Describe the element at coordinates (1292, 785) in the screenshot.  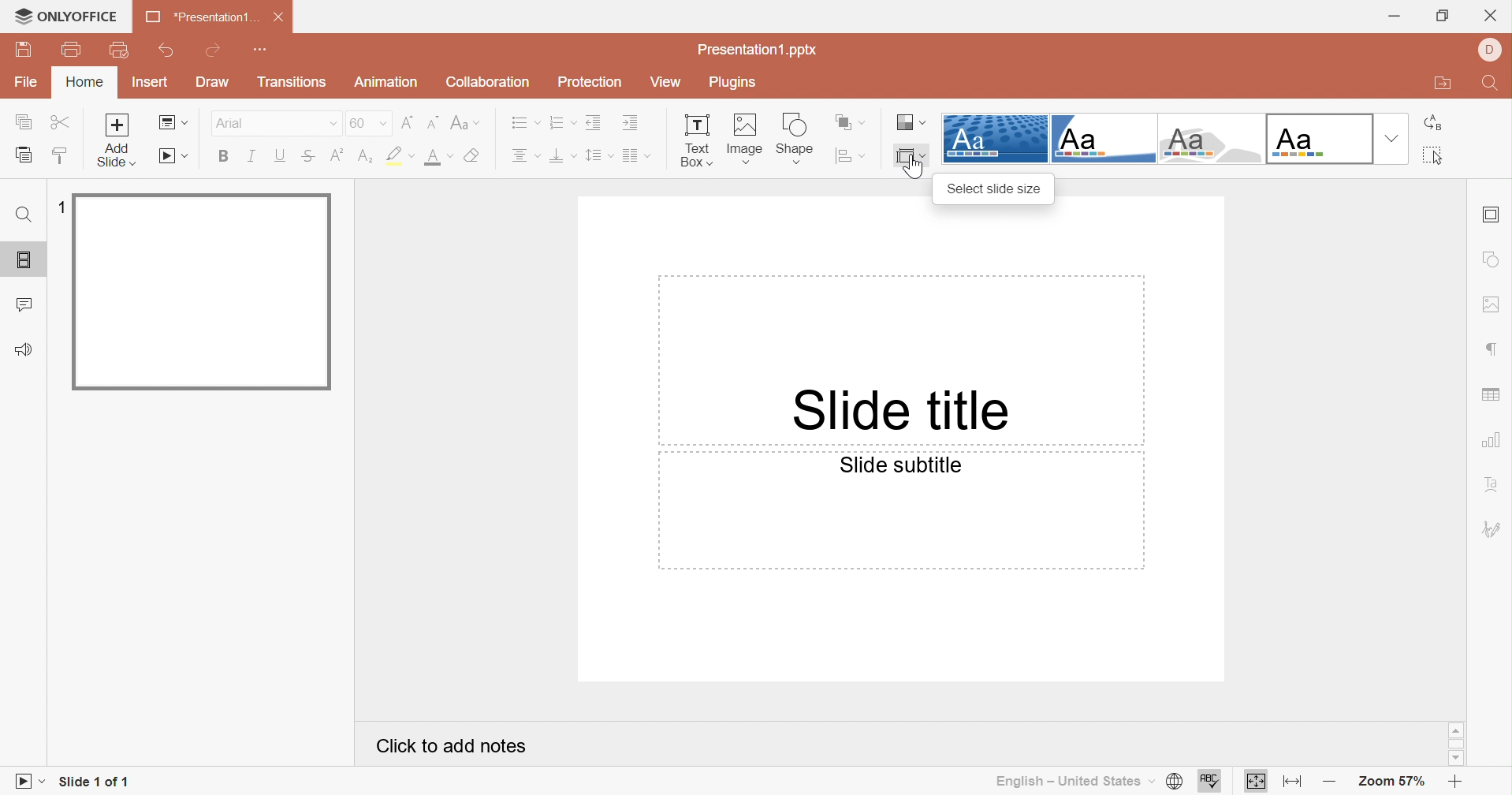
I see `Fit to width` at that location.